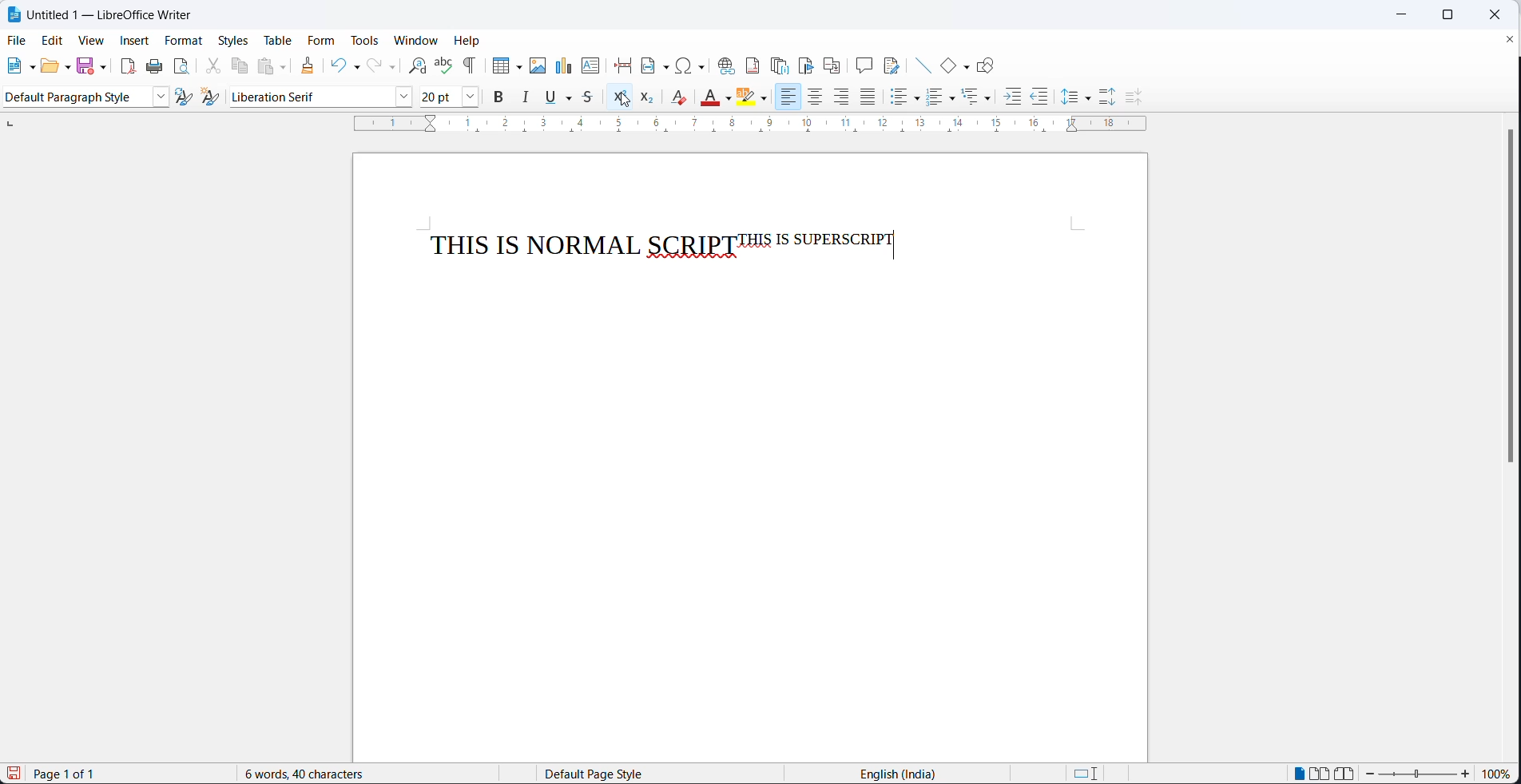 The width and height of the screenshot is (1521, 784). Describe the element at coordinates (581, 241) in the screenshot. I see `THIS IS NORMATI SCRIPT` at that location.